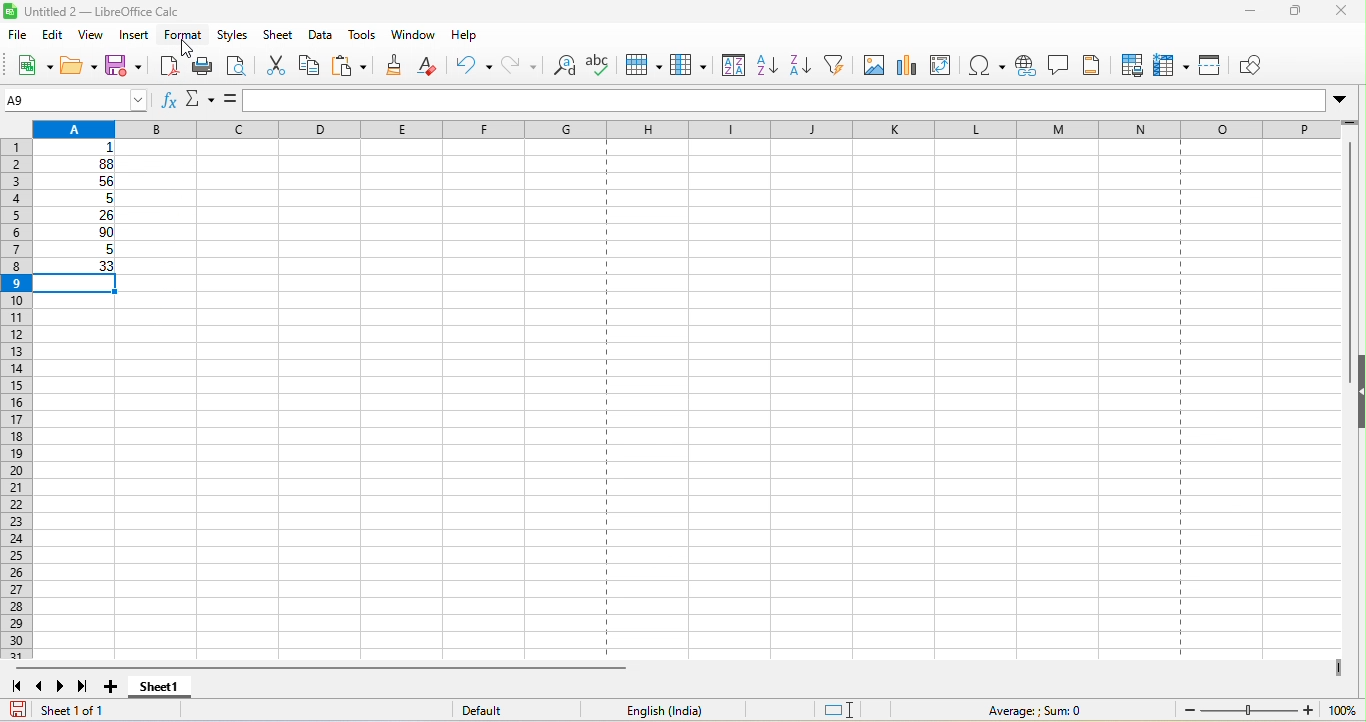 The height and width of the screenshot is (722, 1366). I want to click on sheet, so click(280, 36).